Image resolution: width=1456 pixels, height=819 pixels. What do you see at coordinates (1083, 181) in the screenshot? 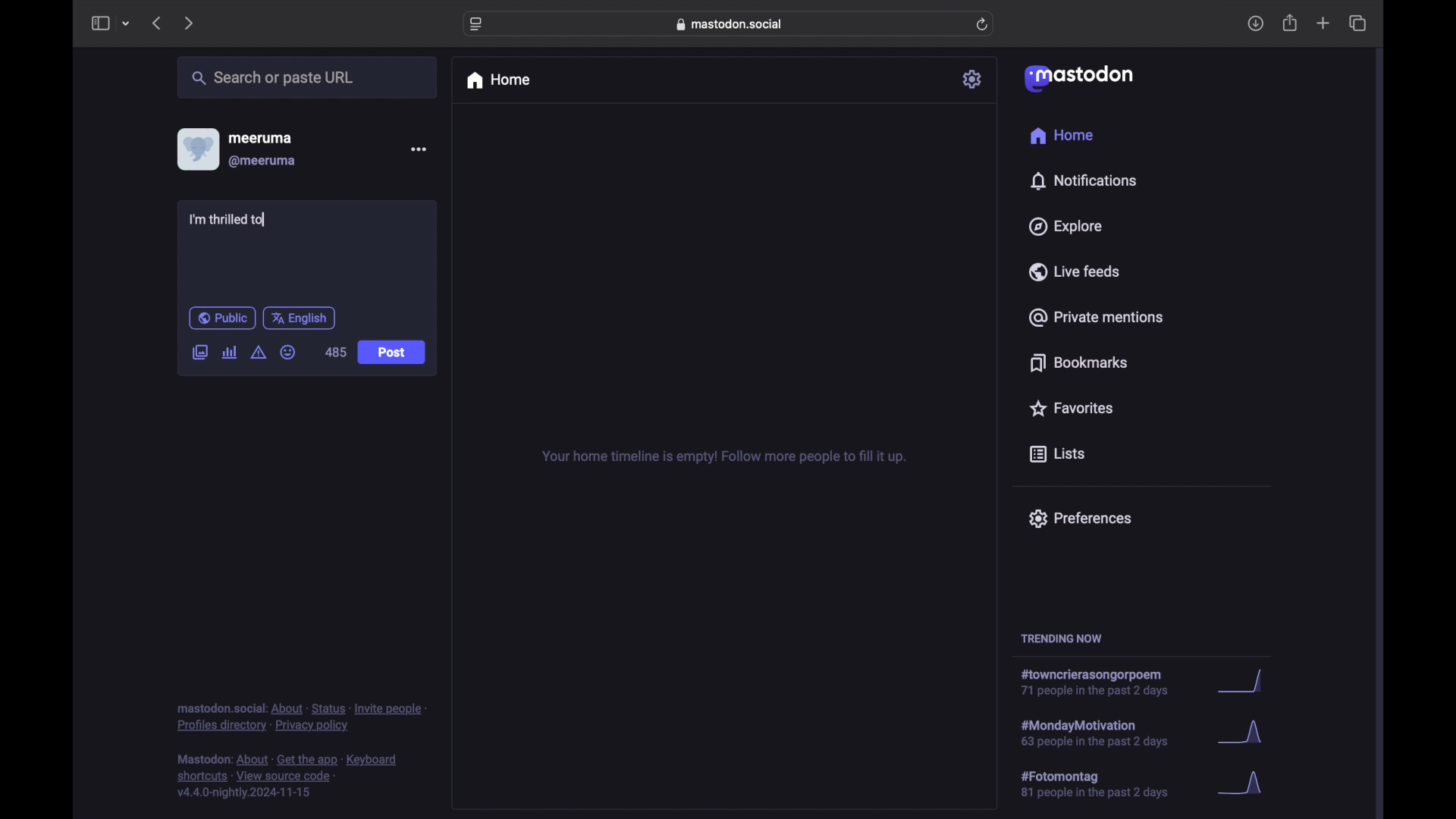
I see `notifications` at bounding box center [1083, 181].